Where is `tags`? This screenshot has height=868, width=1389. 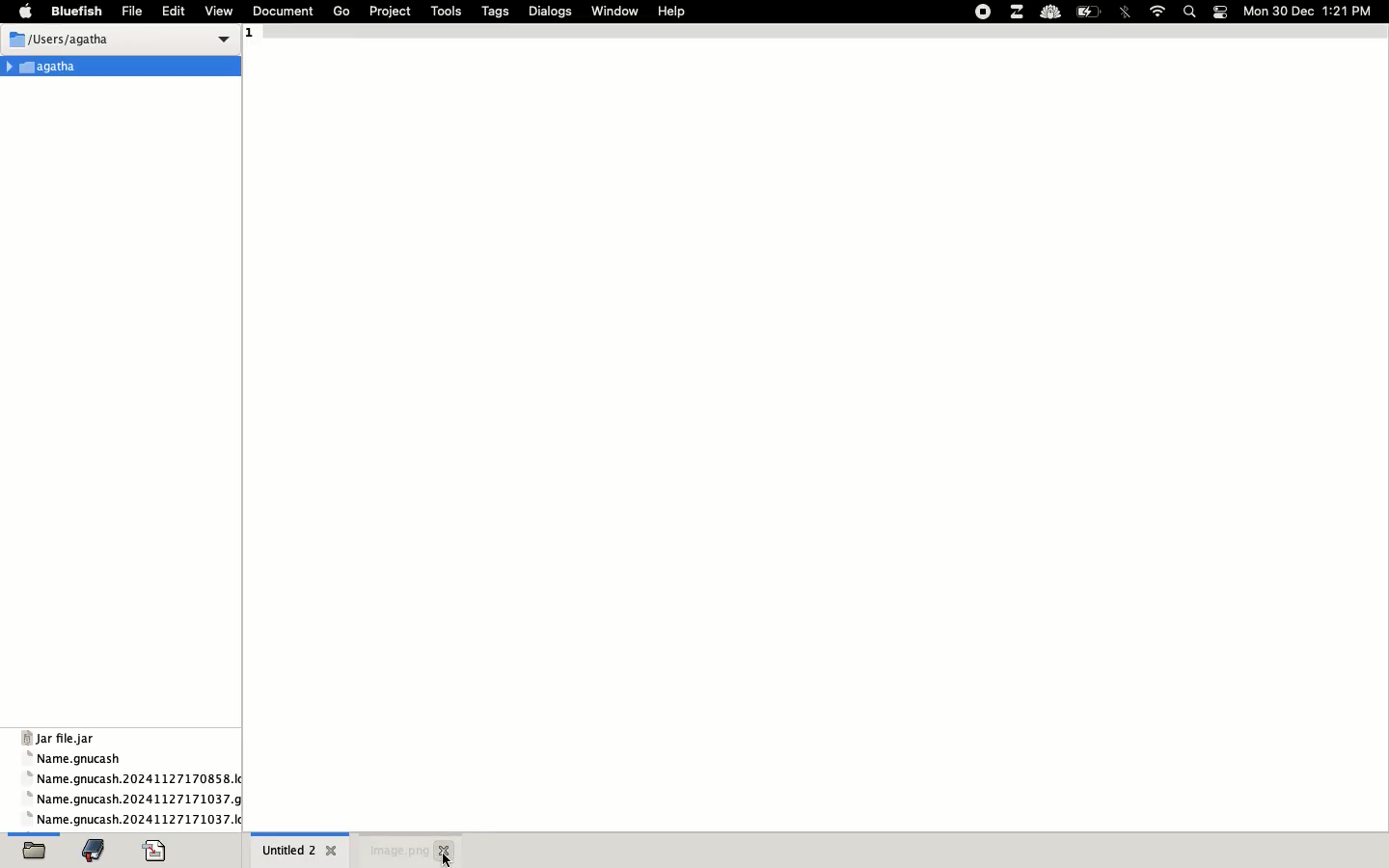 tags is located at coordinates (499, 13).